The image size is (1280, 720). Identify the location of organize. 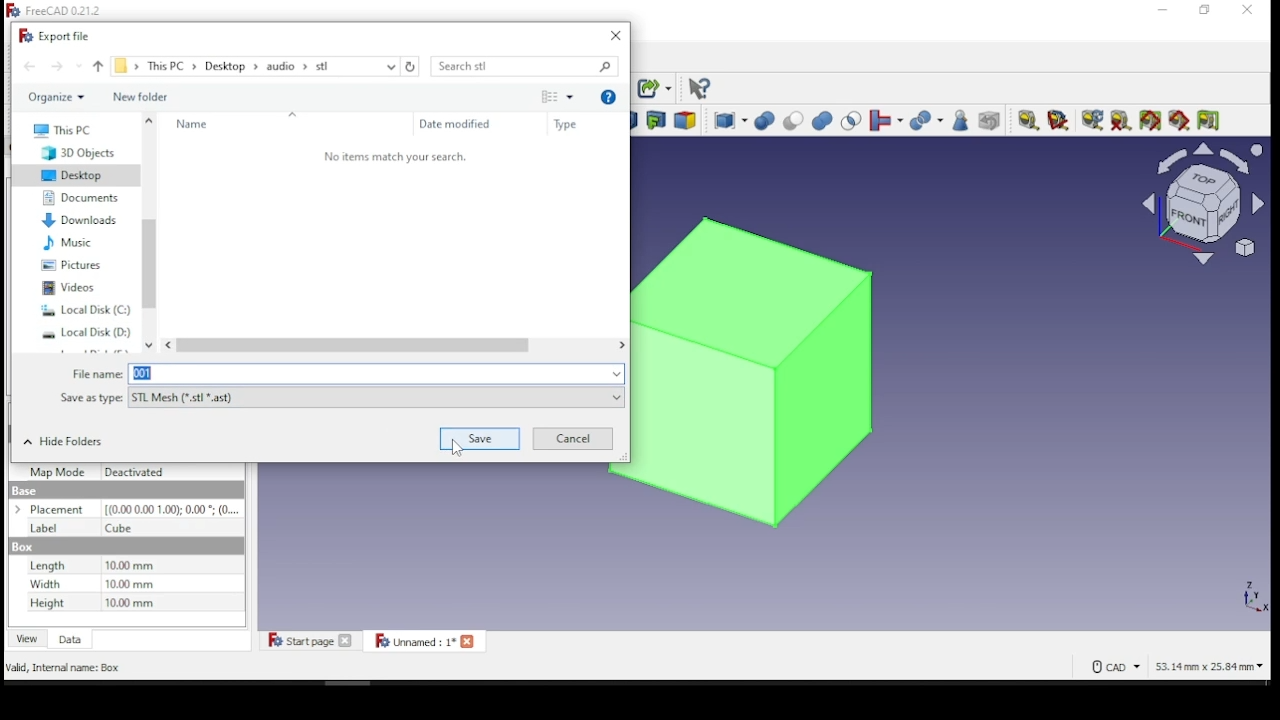
(57, 98).